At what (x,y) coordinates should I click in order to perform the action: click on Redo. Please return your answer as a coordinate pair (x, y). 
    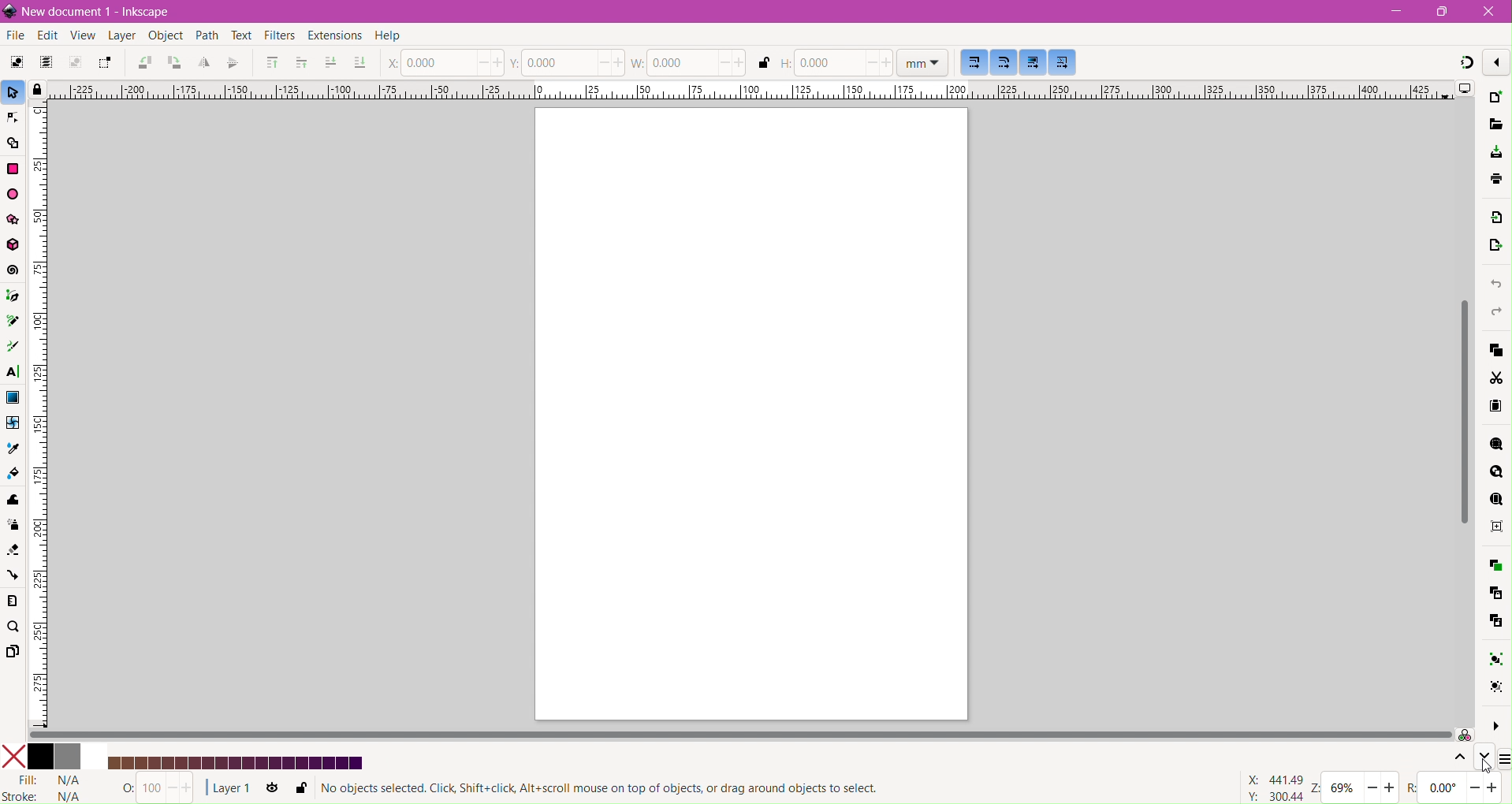
    Looking at the image, I should click on (1496, 311).